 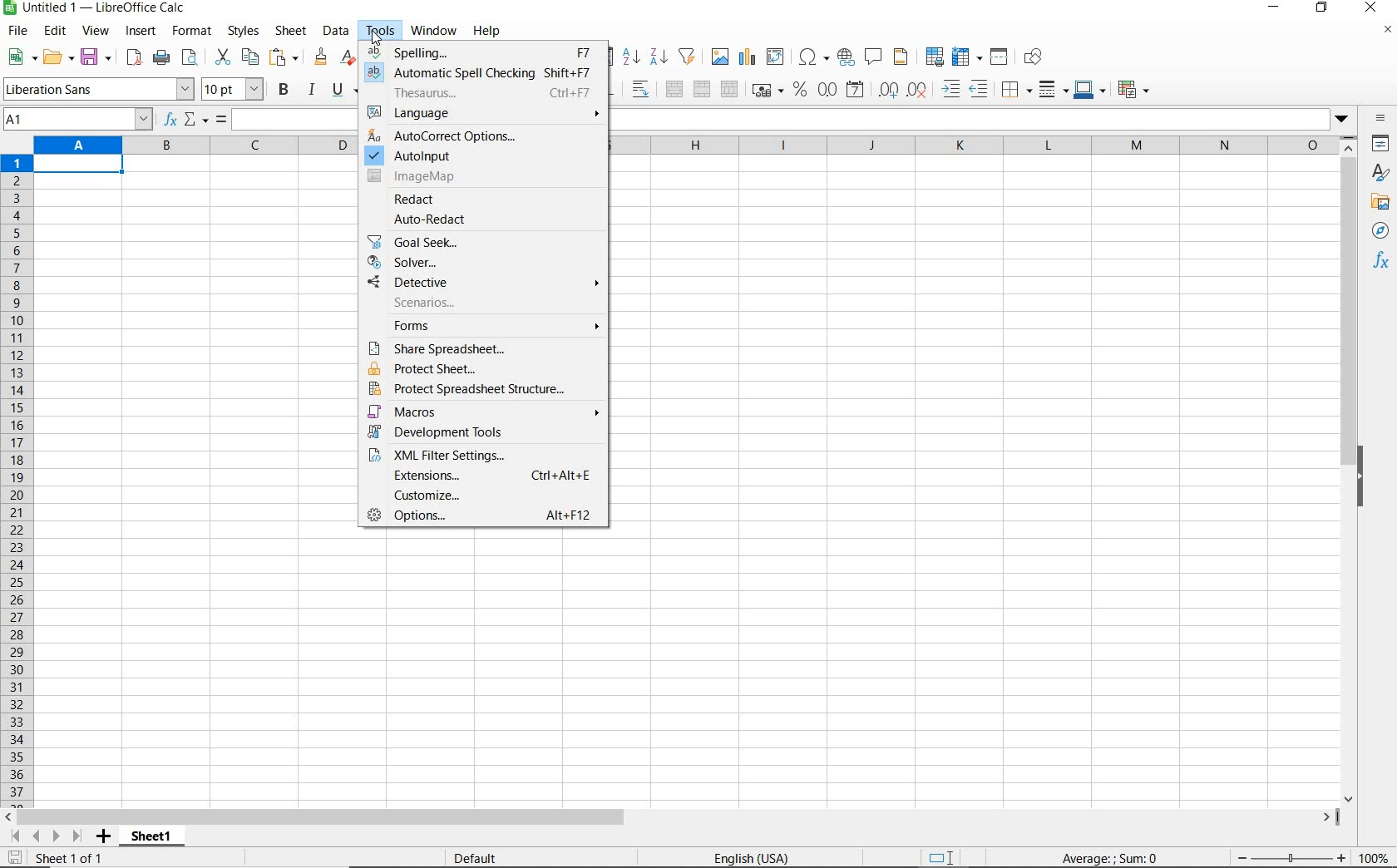 I want to click on ROWS, so click(x=18, y=479).